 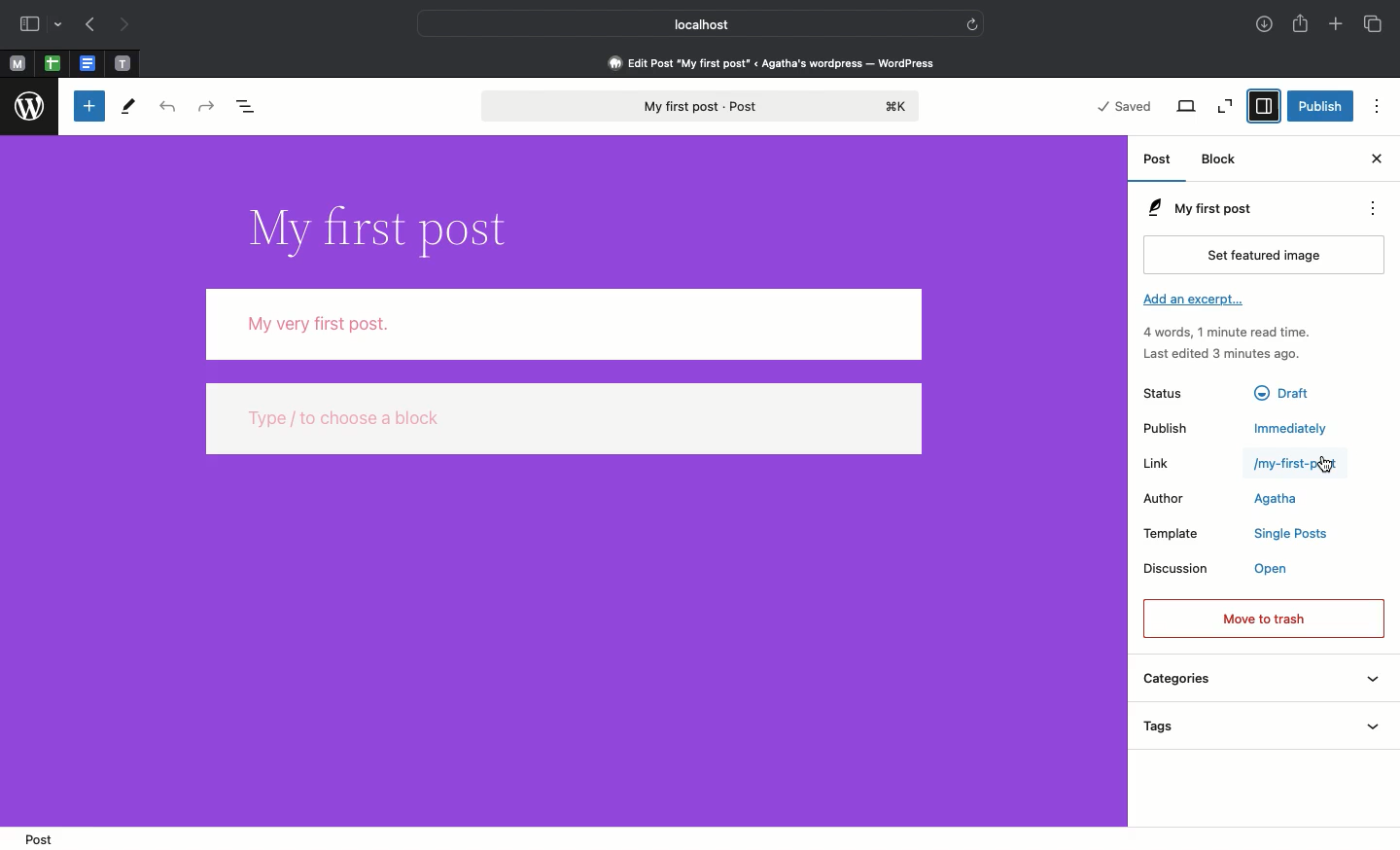 I want to click on Post, so click(x=53, y=838).